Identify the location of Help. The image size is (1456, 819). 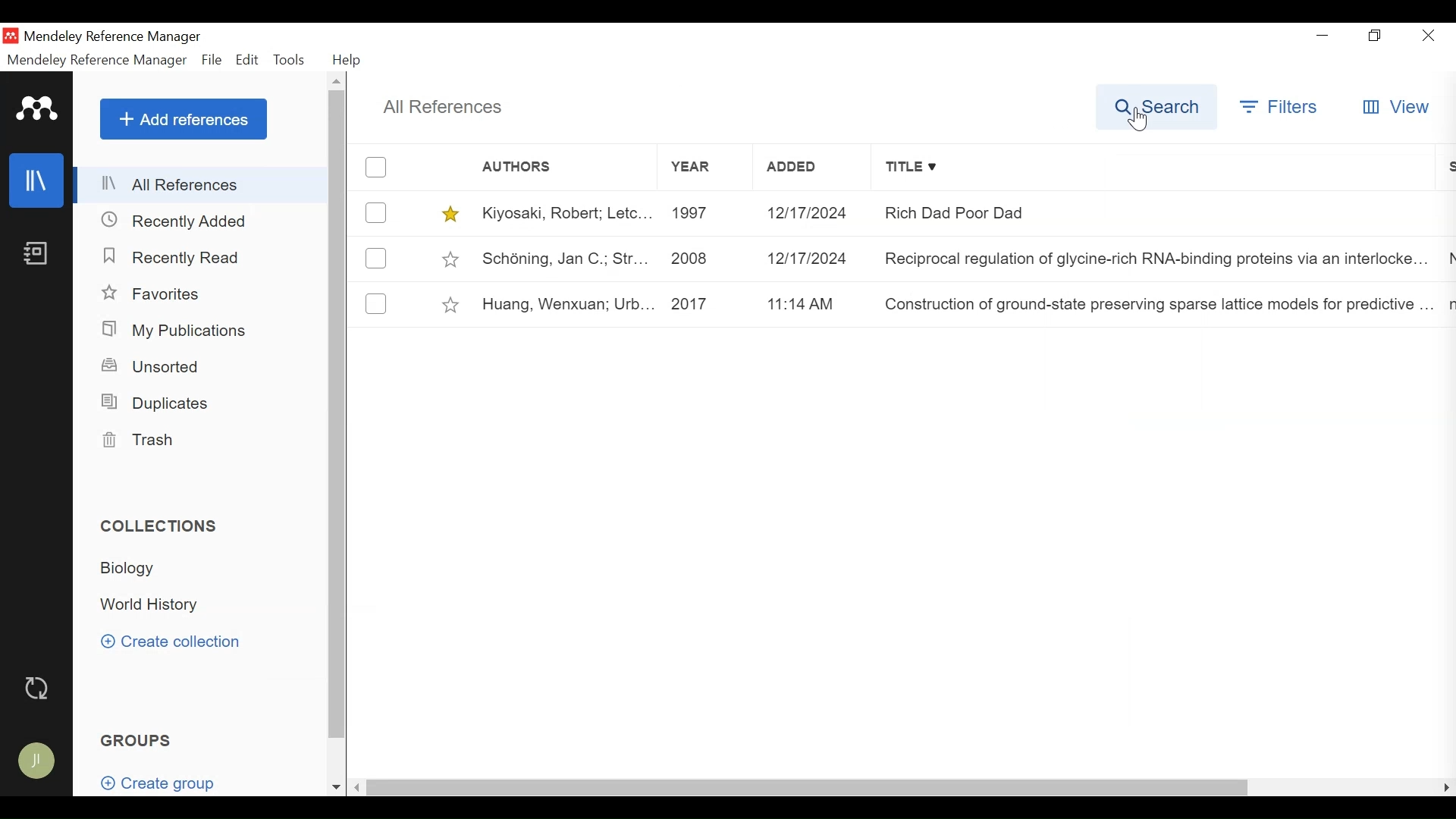
(349, 61).